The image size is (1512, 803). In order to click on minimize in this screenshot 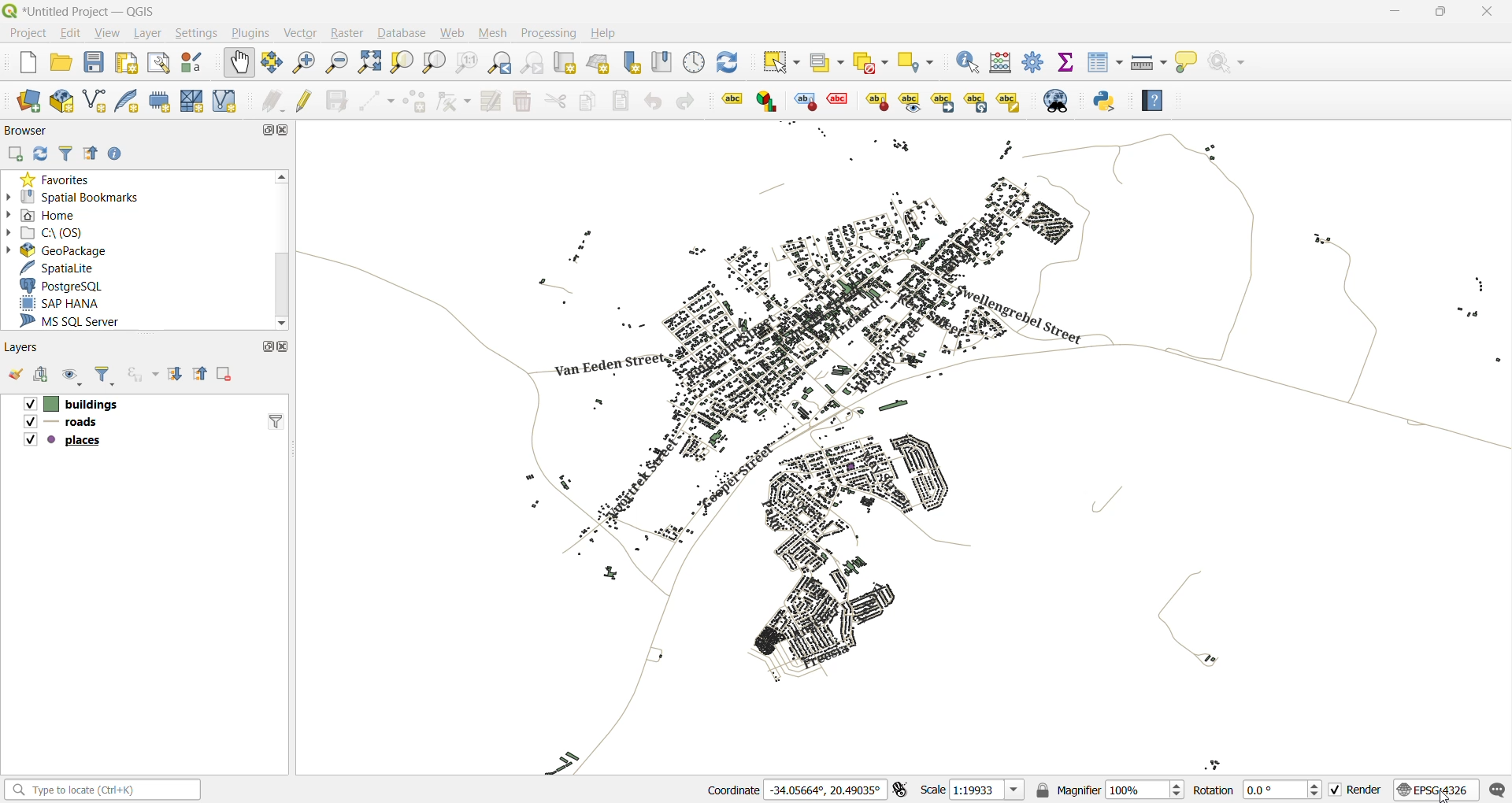, I will do `click(1392, 13)`.